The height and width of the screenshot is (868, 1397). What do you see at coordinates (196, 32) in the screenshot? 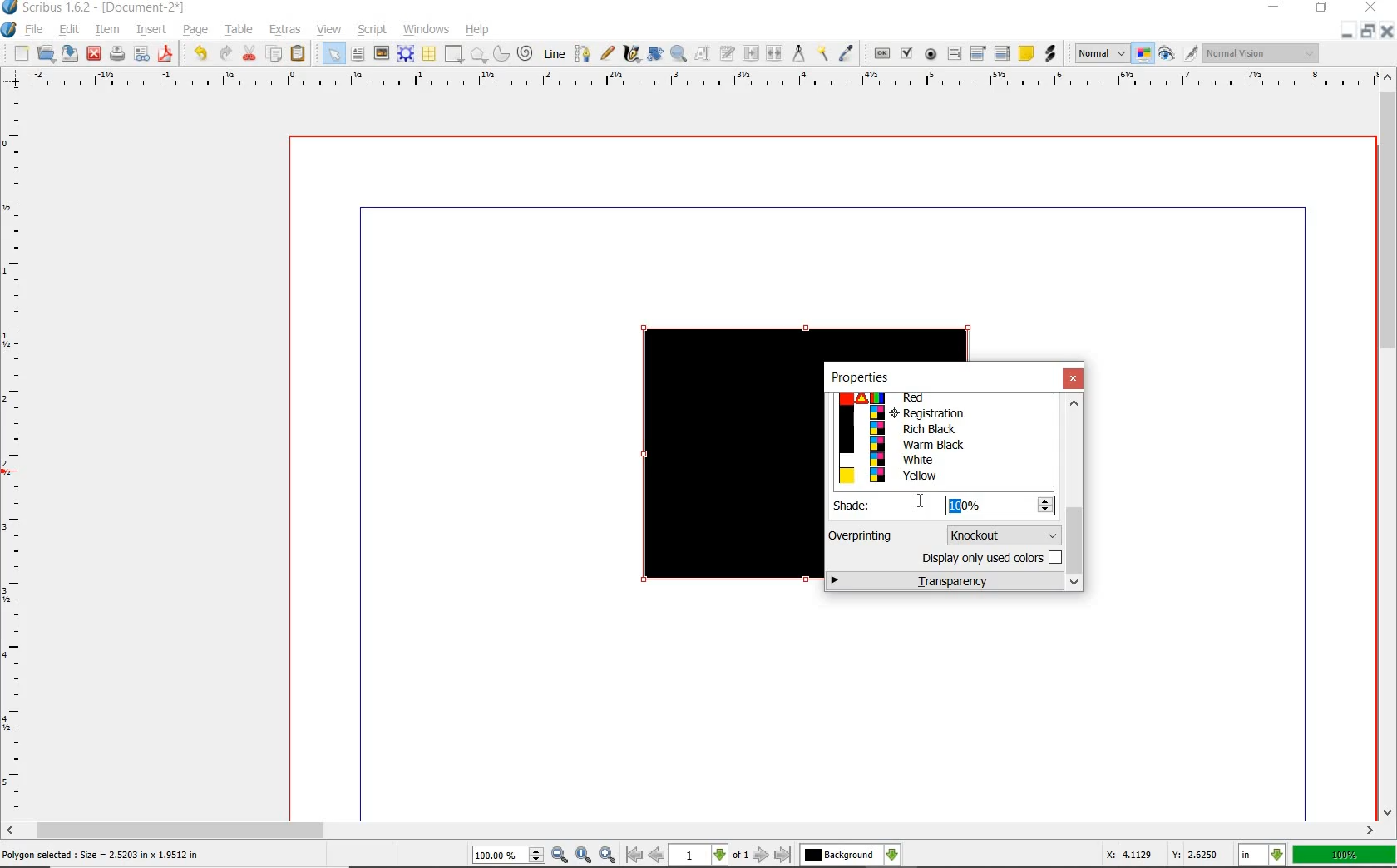
I see `page` at bounding box center [196, 32].